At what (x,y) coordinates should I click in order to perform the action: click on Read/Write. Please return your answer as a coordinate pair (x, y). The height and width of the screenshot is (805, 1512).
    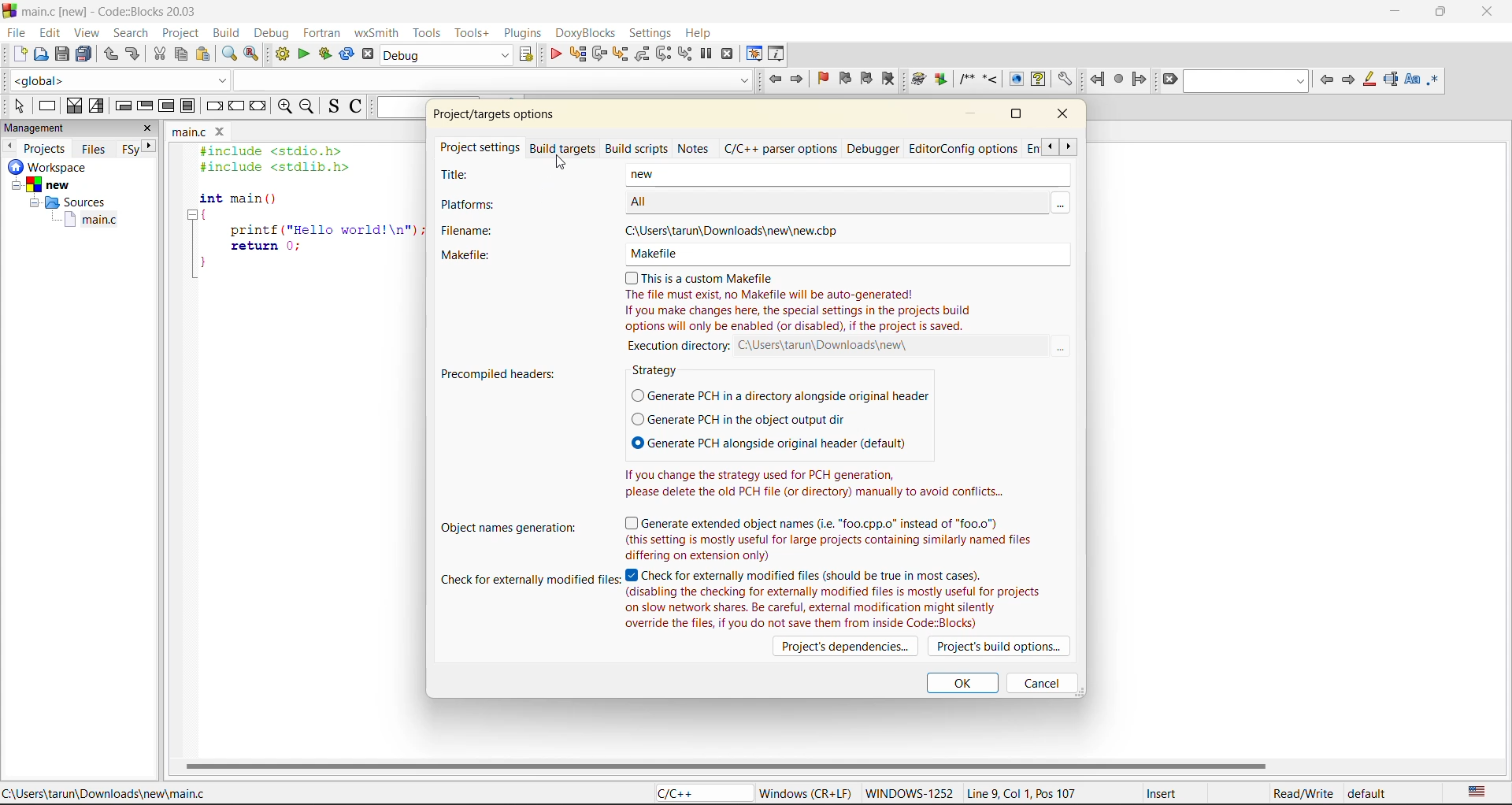
    Looking at the image, I should click on (1301, 792).